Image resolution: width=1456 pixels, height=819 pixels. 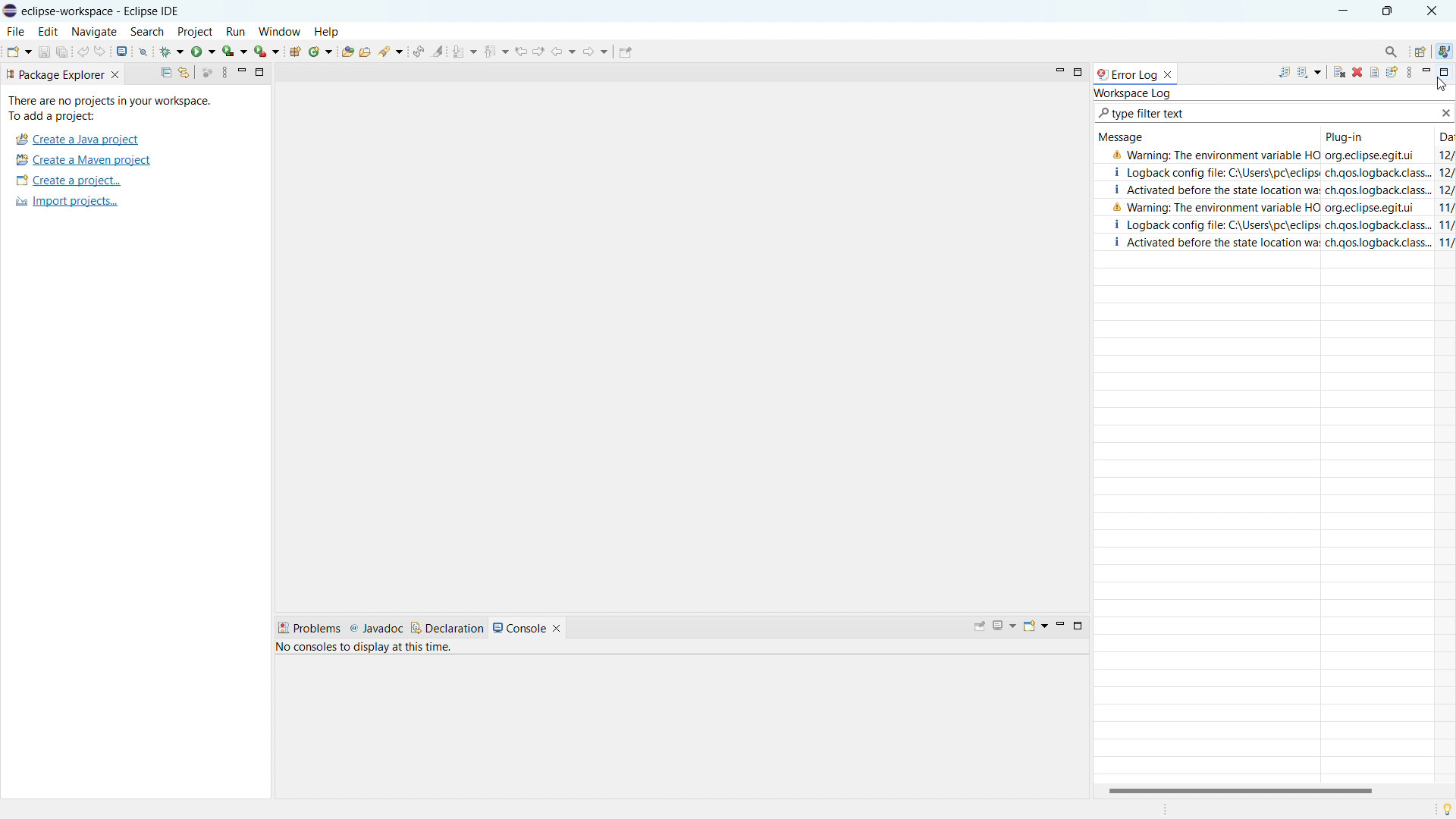 I want to click on minimize, so click(x=1064, y=623).